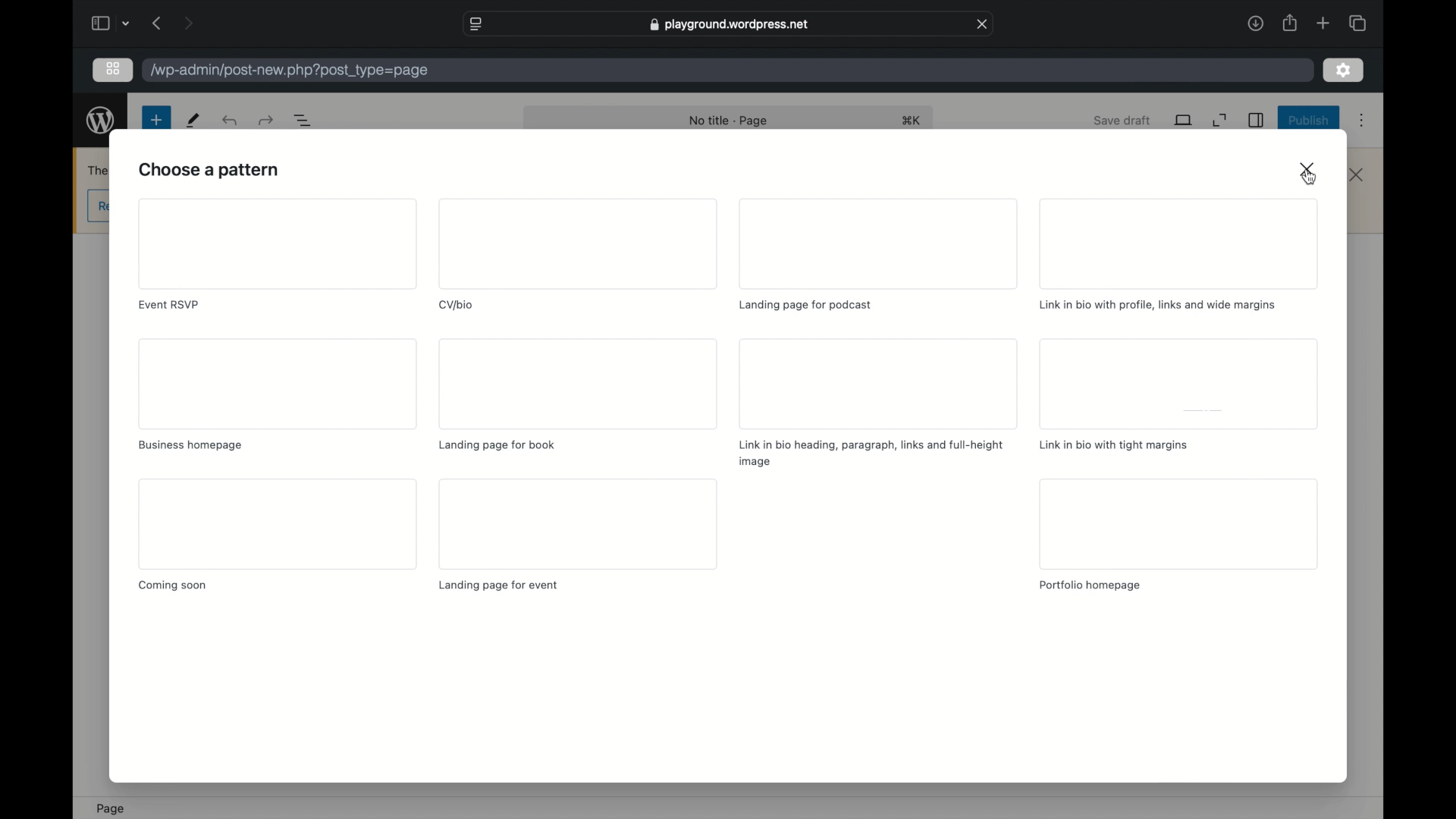  I want to click on redo, so click(231, 120).